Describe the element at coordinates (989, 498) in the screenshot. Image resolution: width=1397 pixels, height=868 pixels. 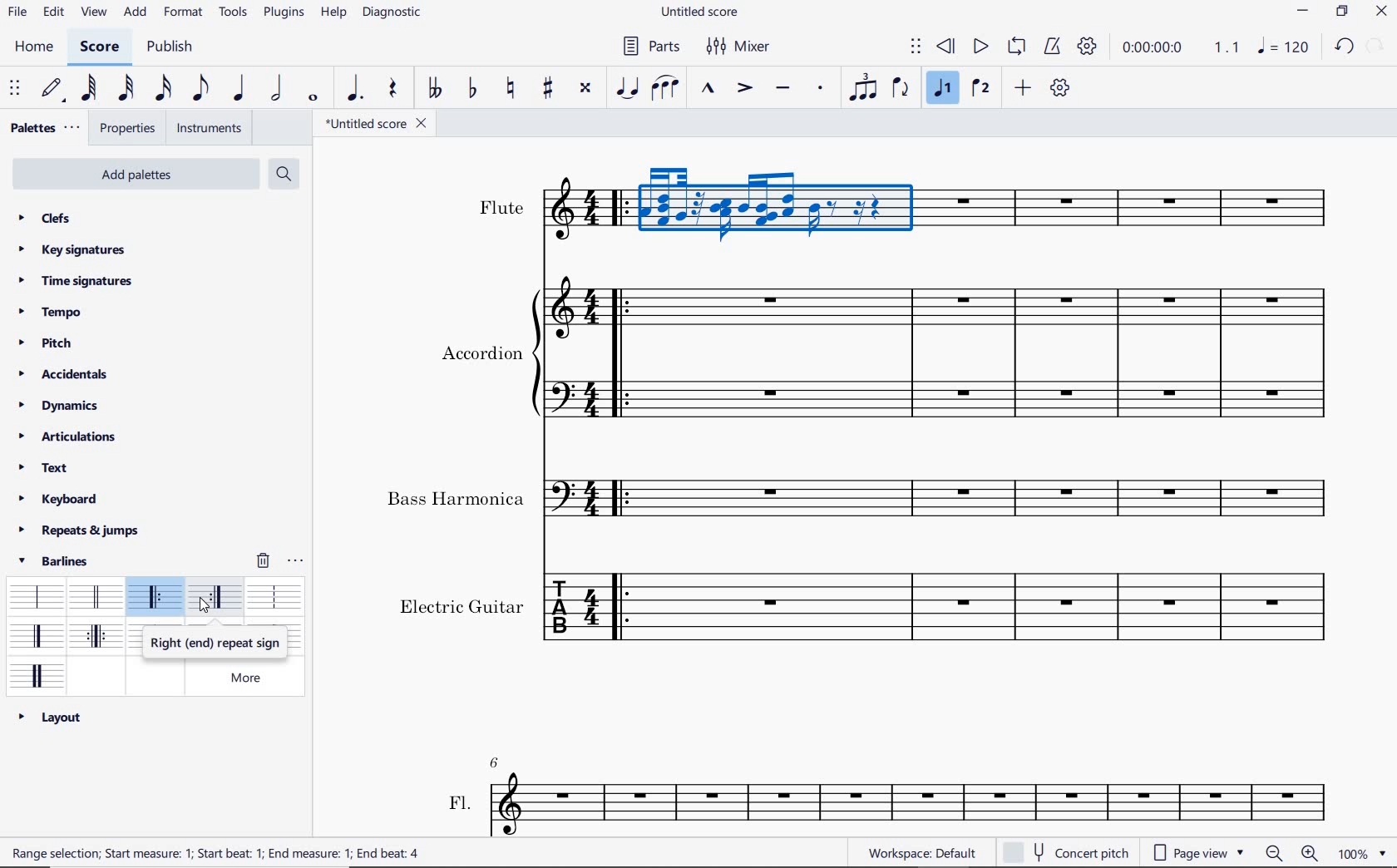
I see `Instrument: Electric guitar` at that location.